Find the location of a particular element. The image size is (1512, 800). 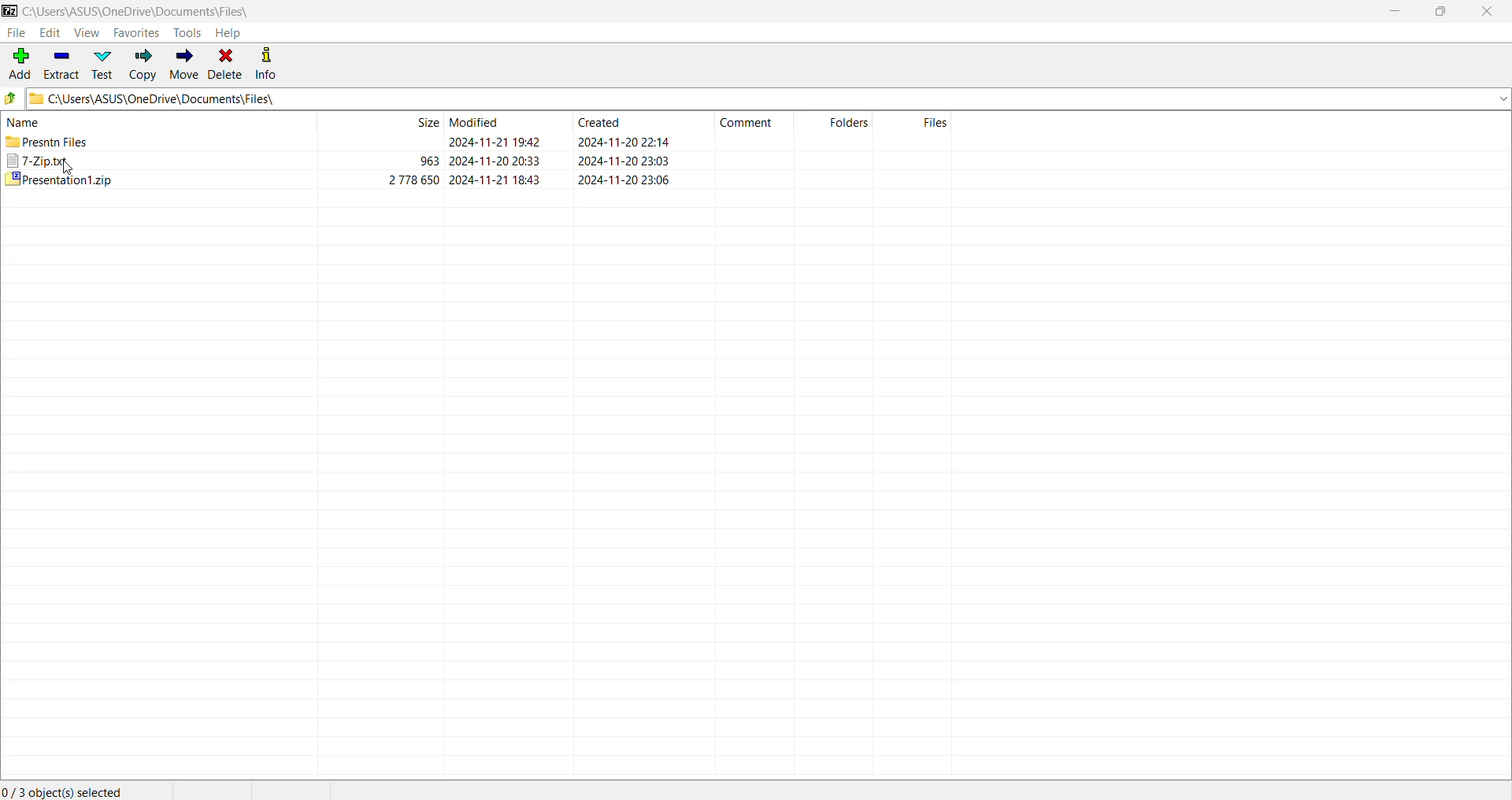

created date & time is located at coordinates (625, 180).